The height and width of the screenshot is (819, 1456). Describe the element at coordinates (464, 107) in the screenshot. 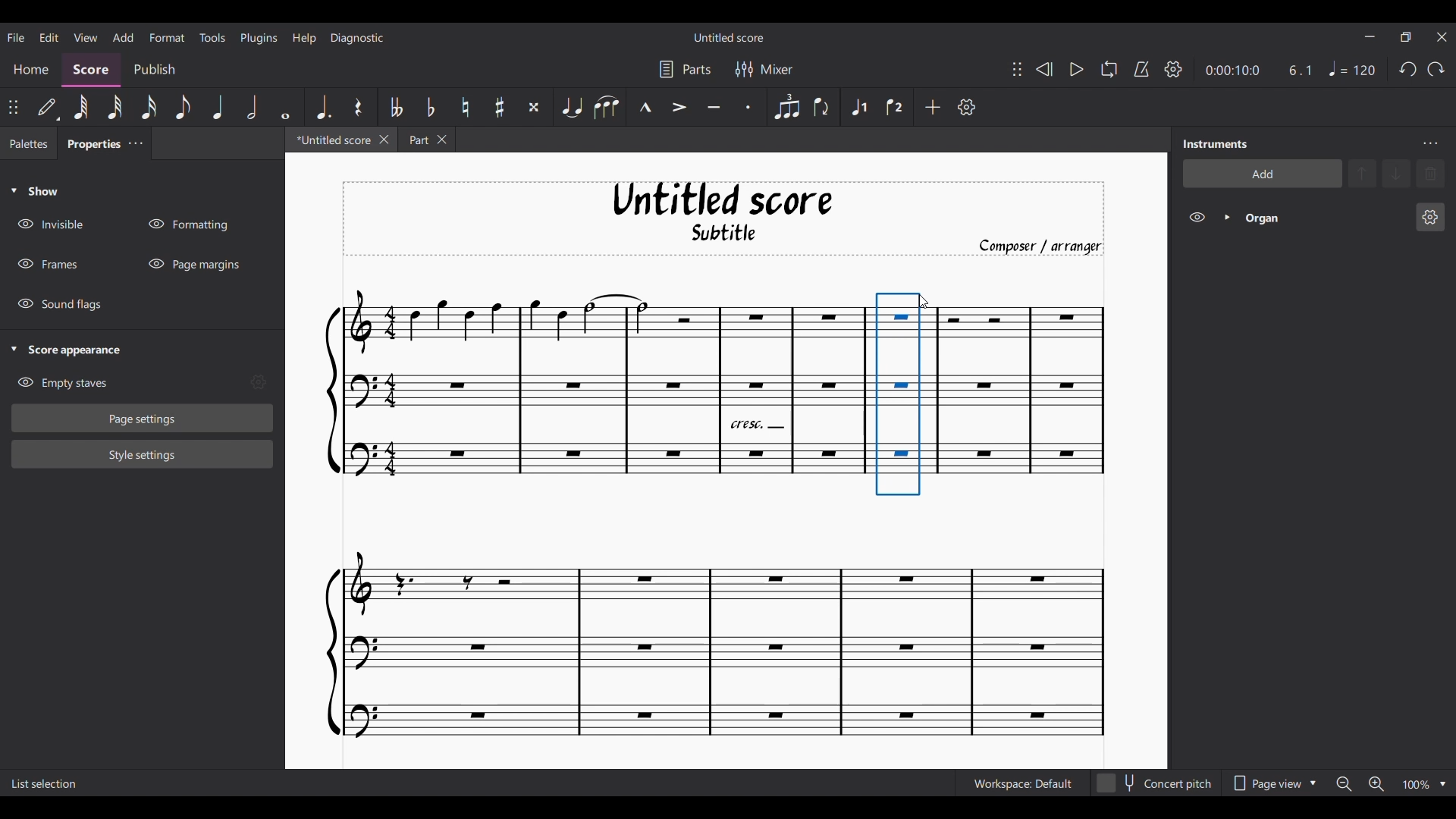

I see `Toggle nature` at that location.